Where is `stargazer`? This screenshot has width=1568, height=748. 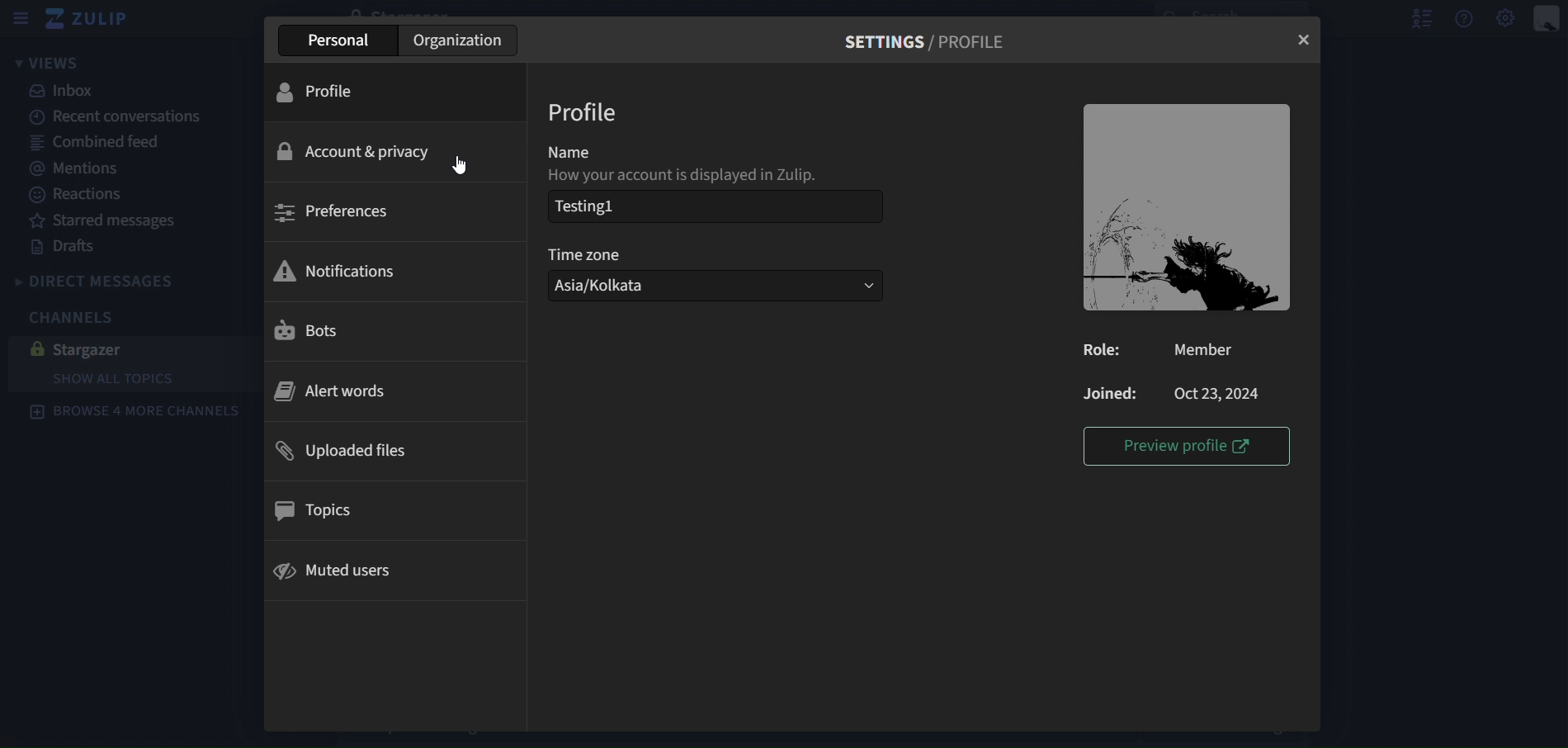
stargazer is located at coordinates (80, 352).